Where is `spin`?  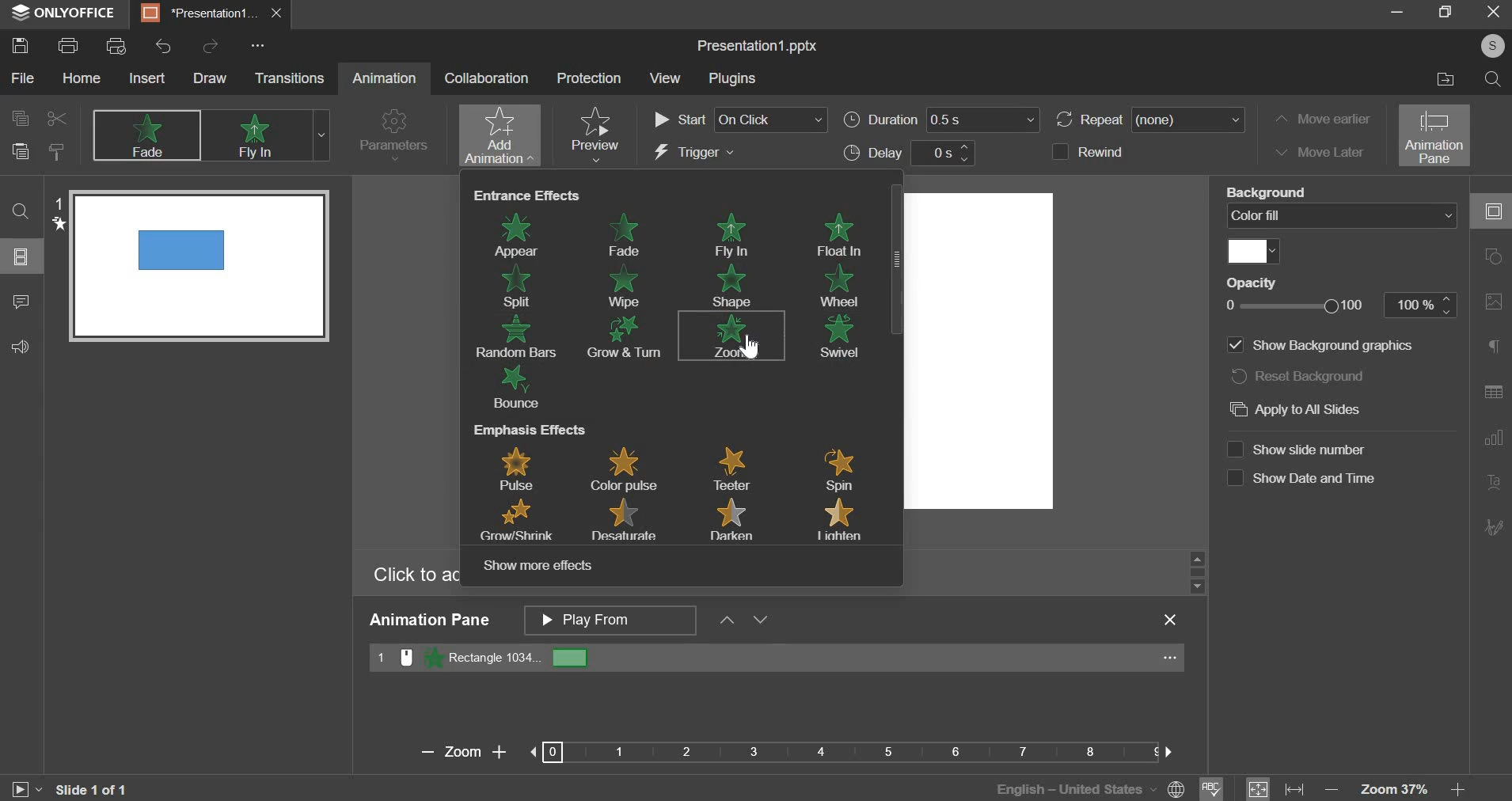 spin is located at coordinates (844, 469).